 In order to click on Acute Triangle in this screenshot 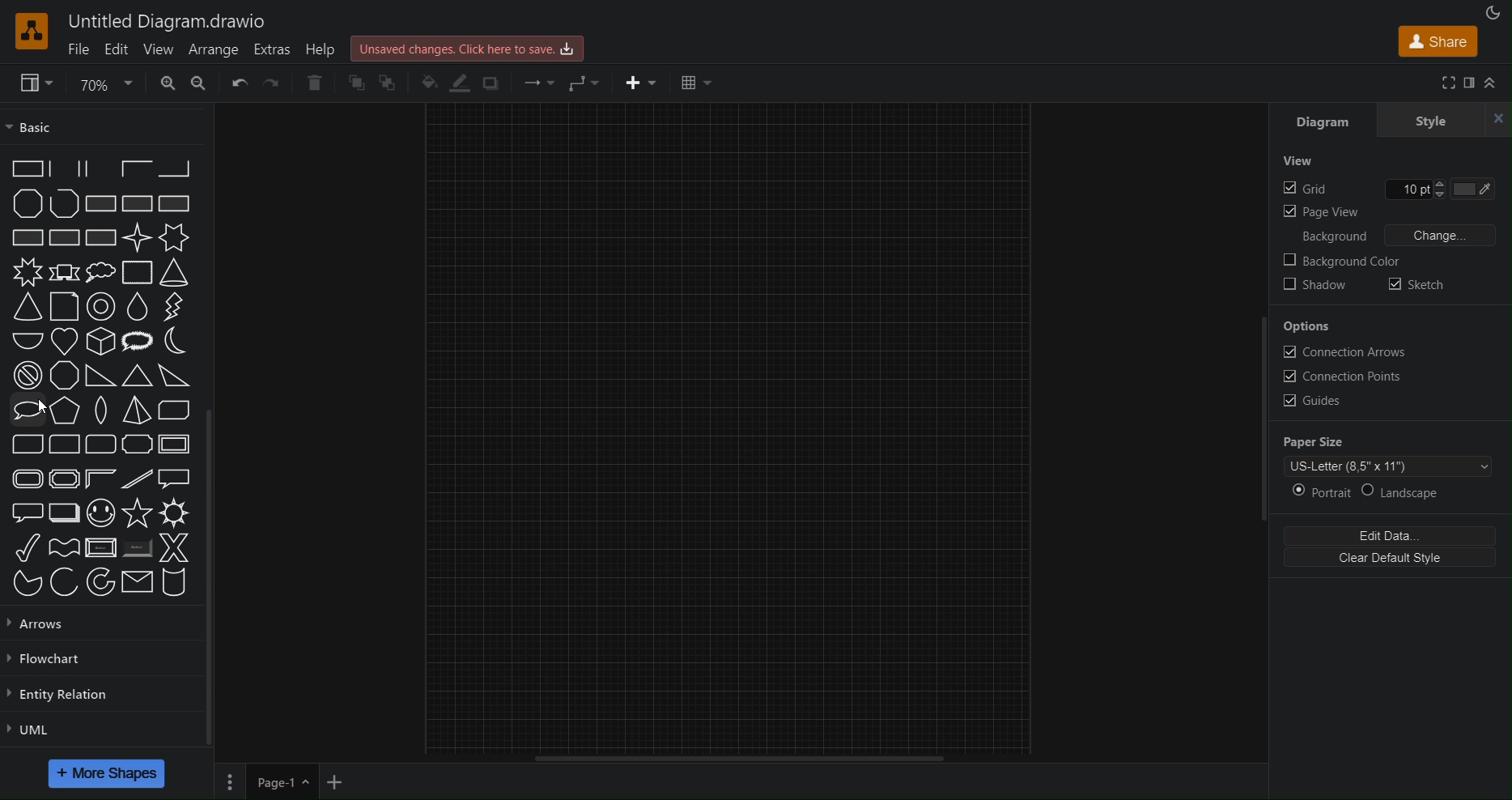, I will do `click(136, 377)`.